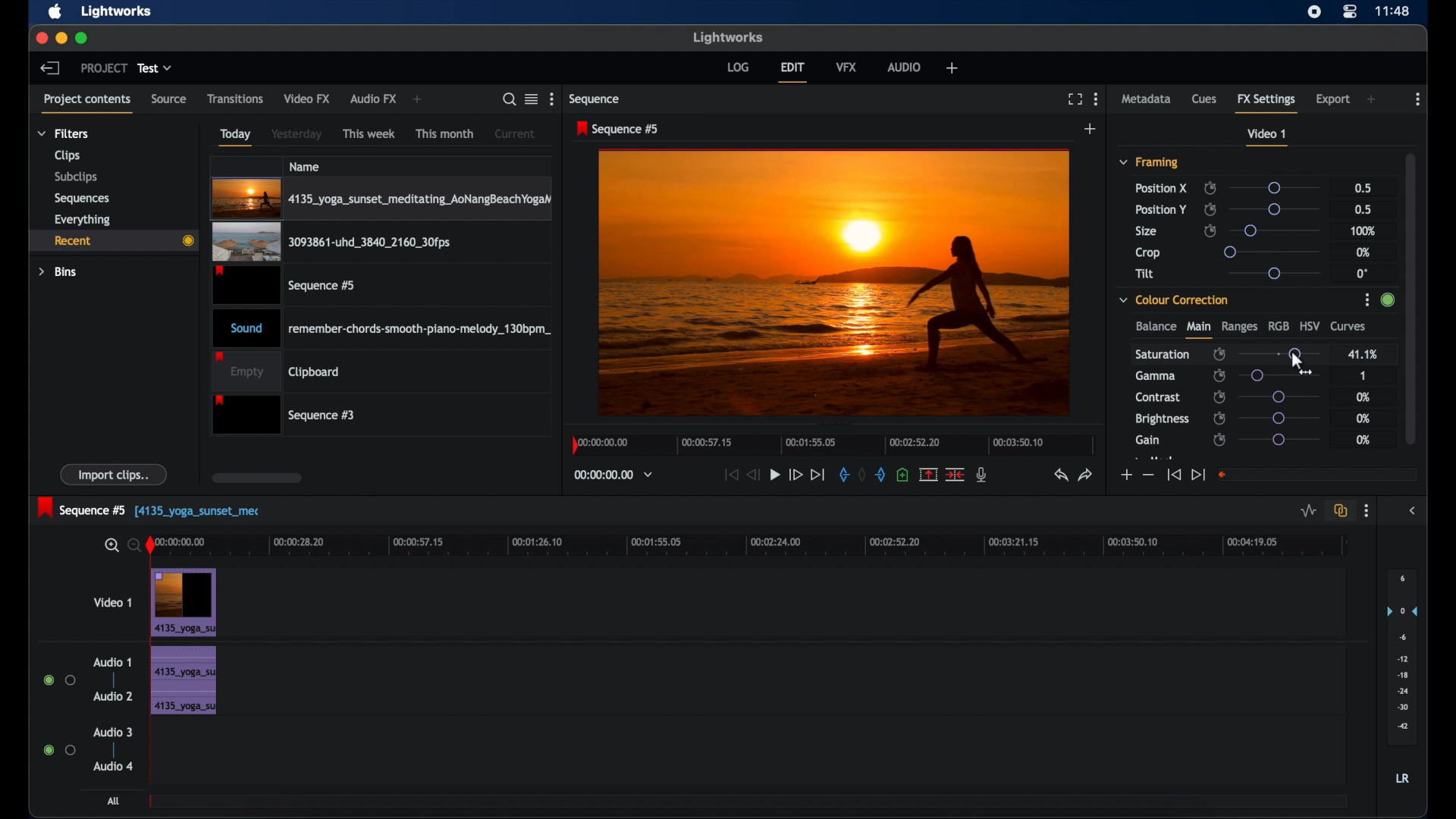  Describe the element at coordinates (286, 285) in the screenshot. I see `video clip` at that location.